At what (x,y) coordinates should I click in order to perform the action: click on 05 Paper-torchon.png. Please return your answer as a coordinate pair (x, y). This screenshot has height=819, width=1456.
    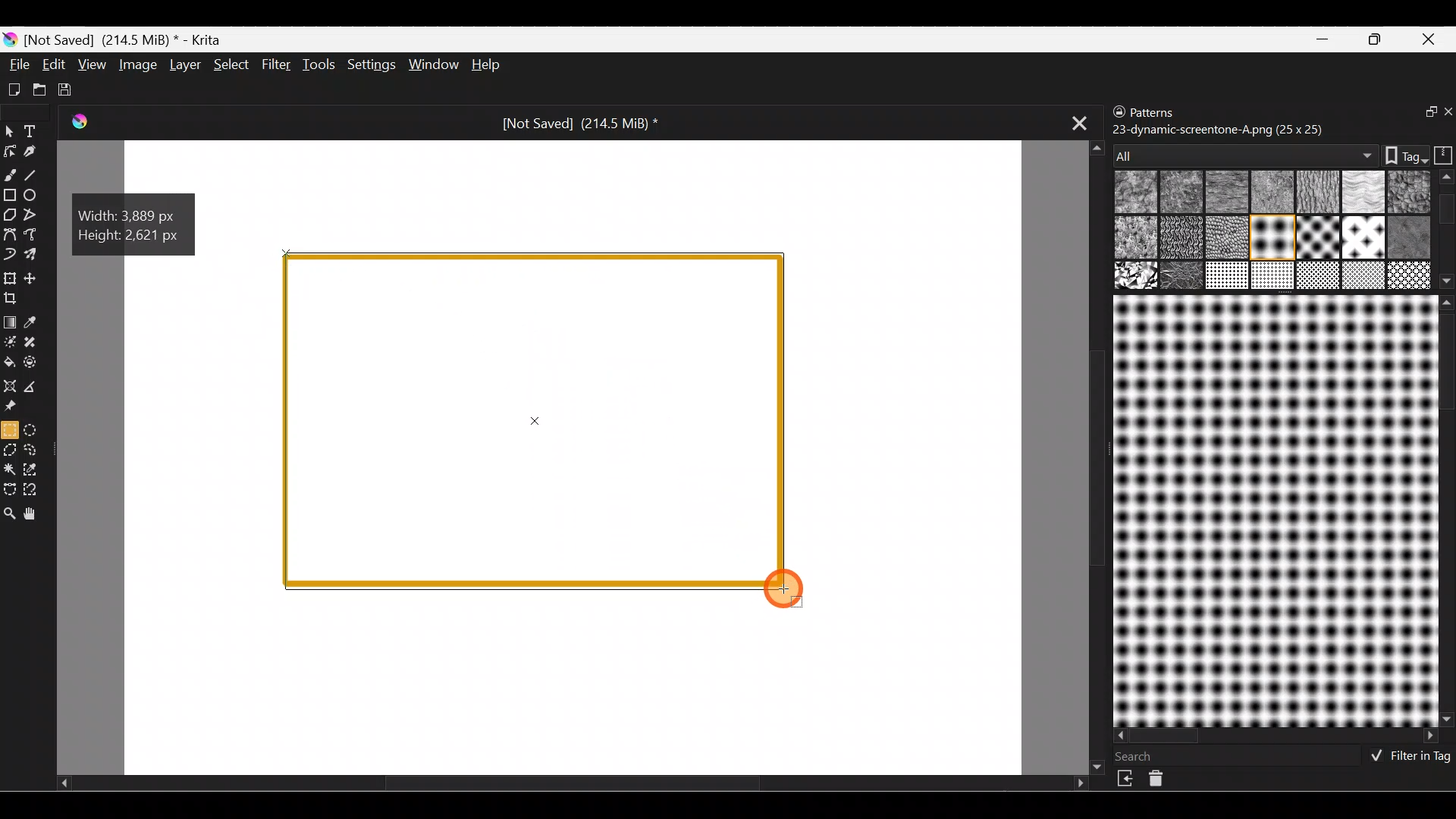
    Looking at the image, I should click on (1363, 193).